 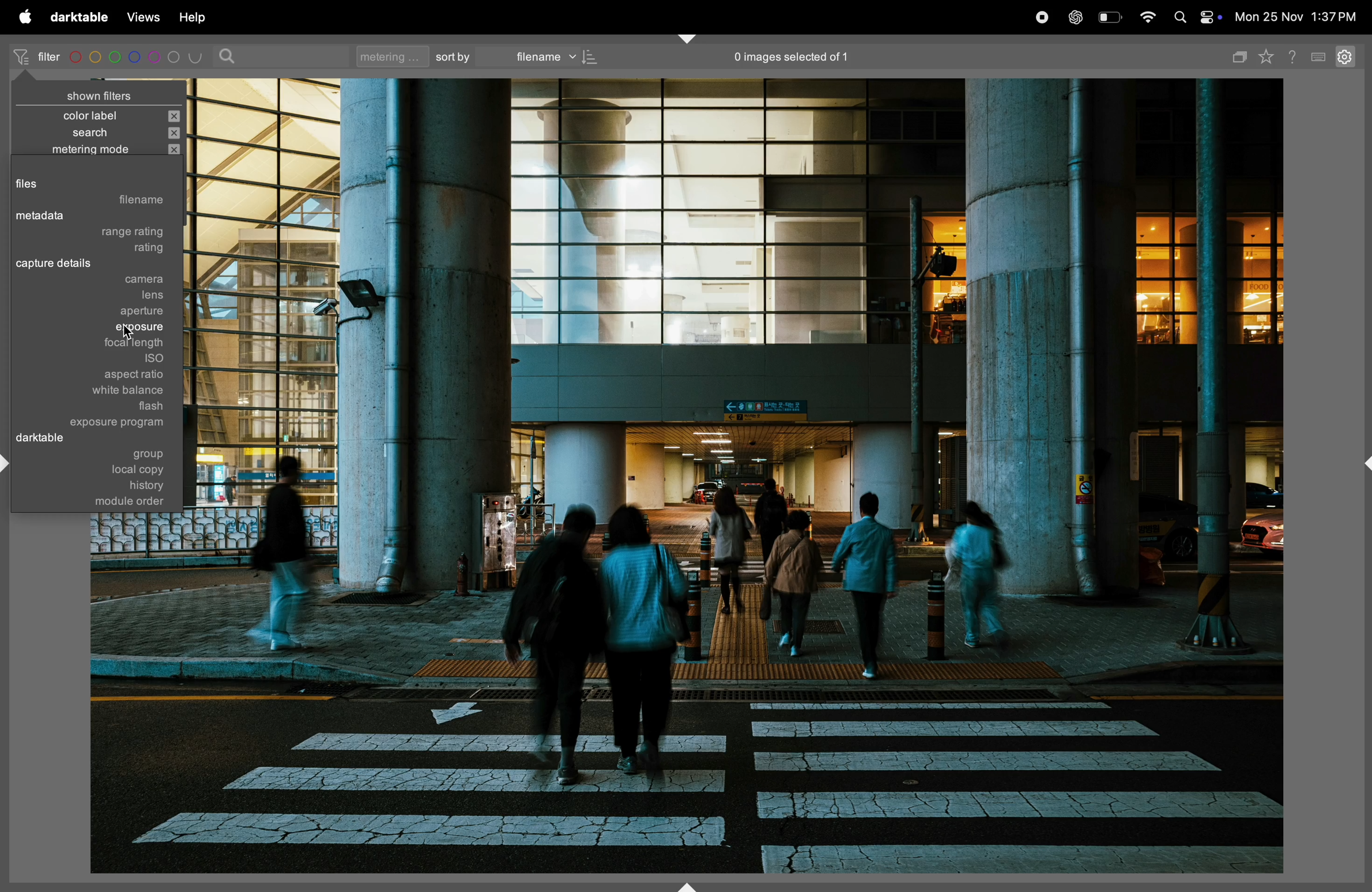 What do you see at coordinates (138, 407) in the screenshot?
I see `flash` at bounding box center [138, 407].